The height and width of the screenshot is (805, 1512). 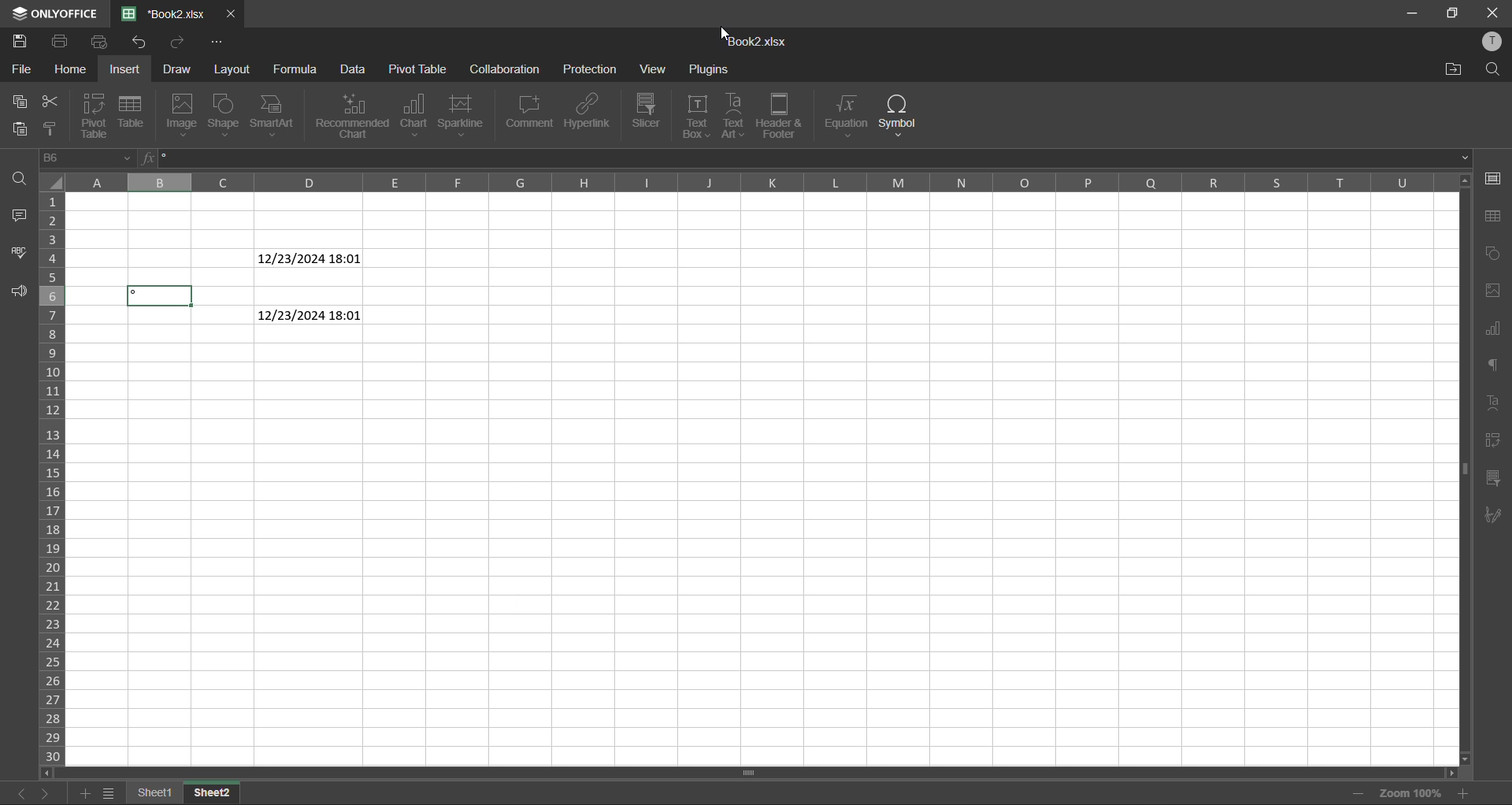 What do you see at coordinates (17, 99) in the screenshot?
I see `copy ` at bounding box center [17, 99].